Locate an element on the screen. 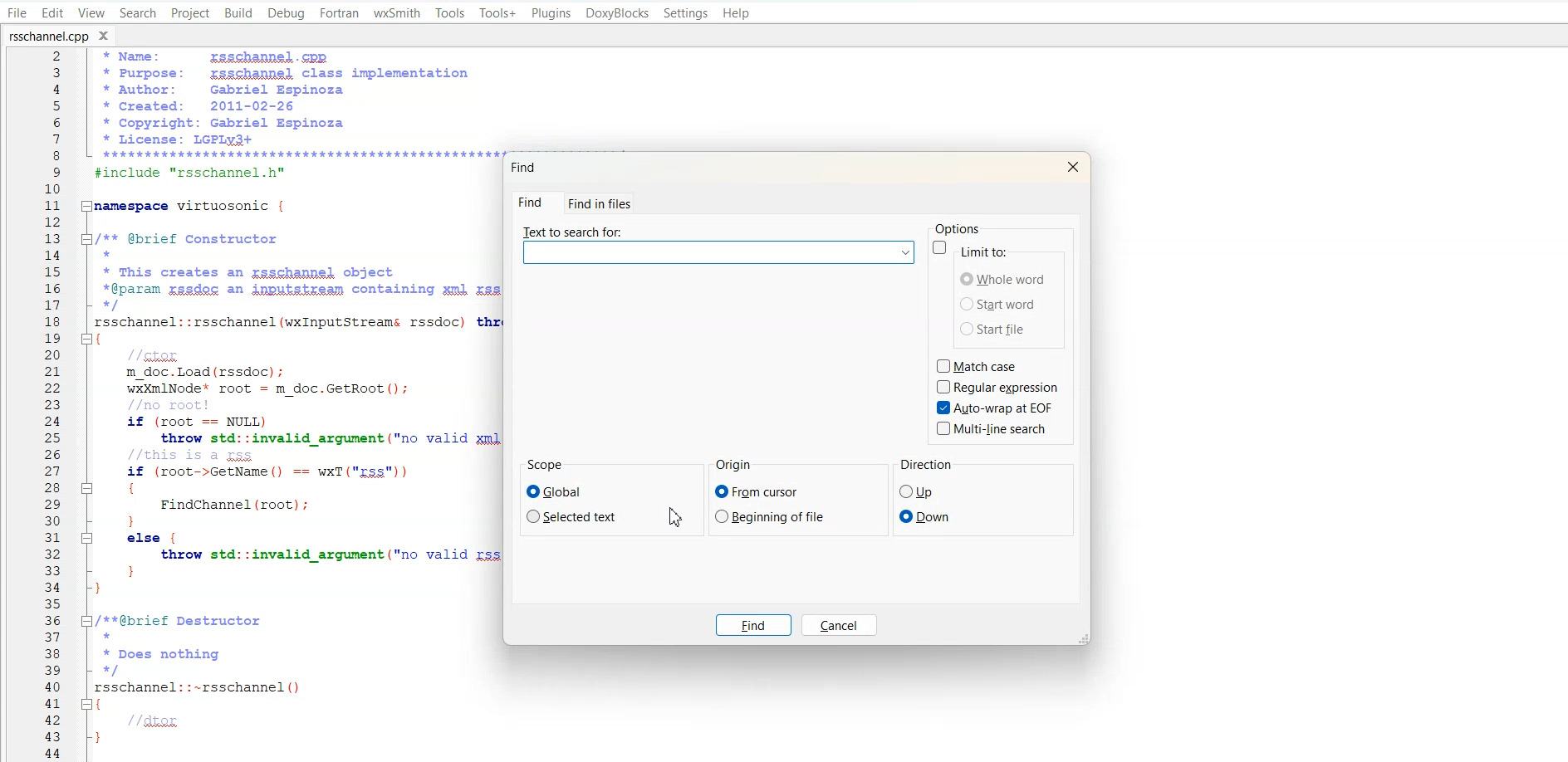 The width and height of the screenshot is (1568, 762). Beginning of file is located at coordinates (772, 516).